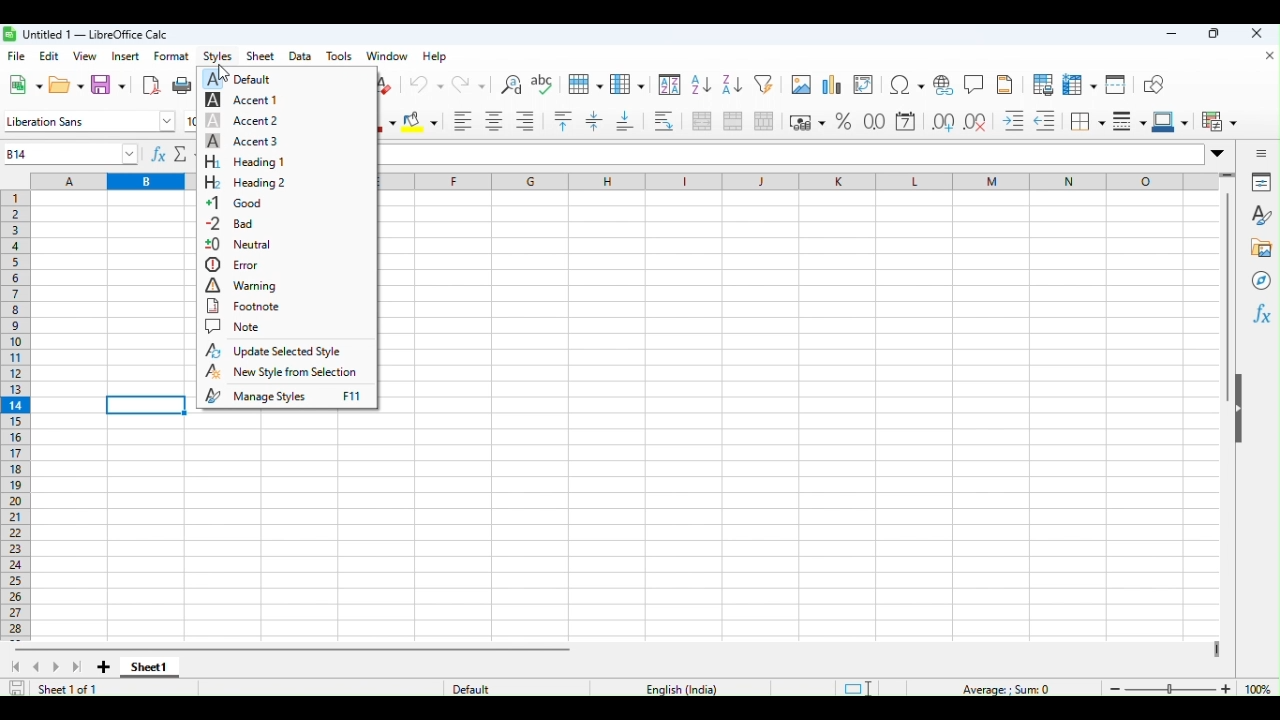 This screenshot has height=720, width=1280. Describe the element at coordinates (856, 686) in the screenshot. I see `Standard selection` at that location.